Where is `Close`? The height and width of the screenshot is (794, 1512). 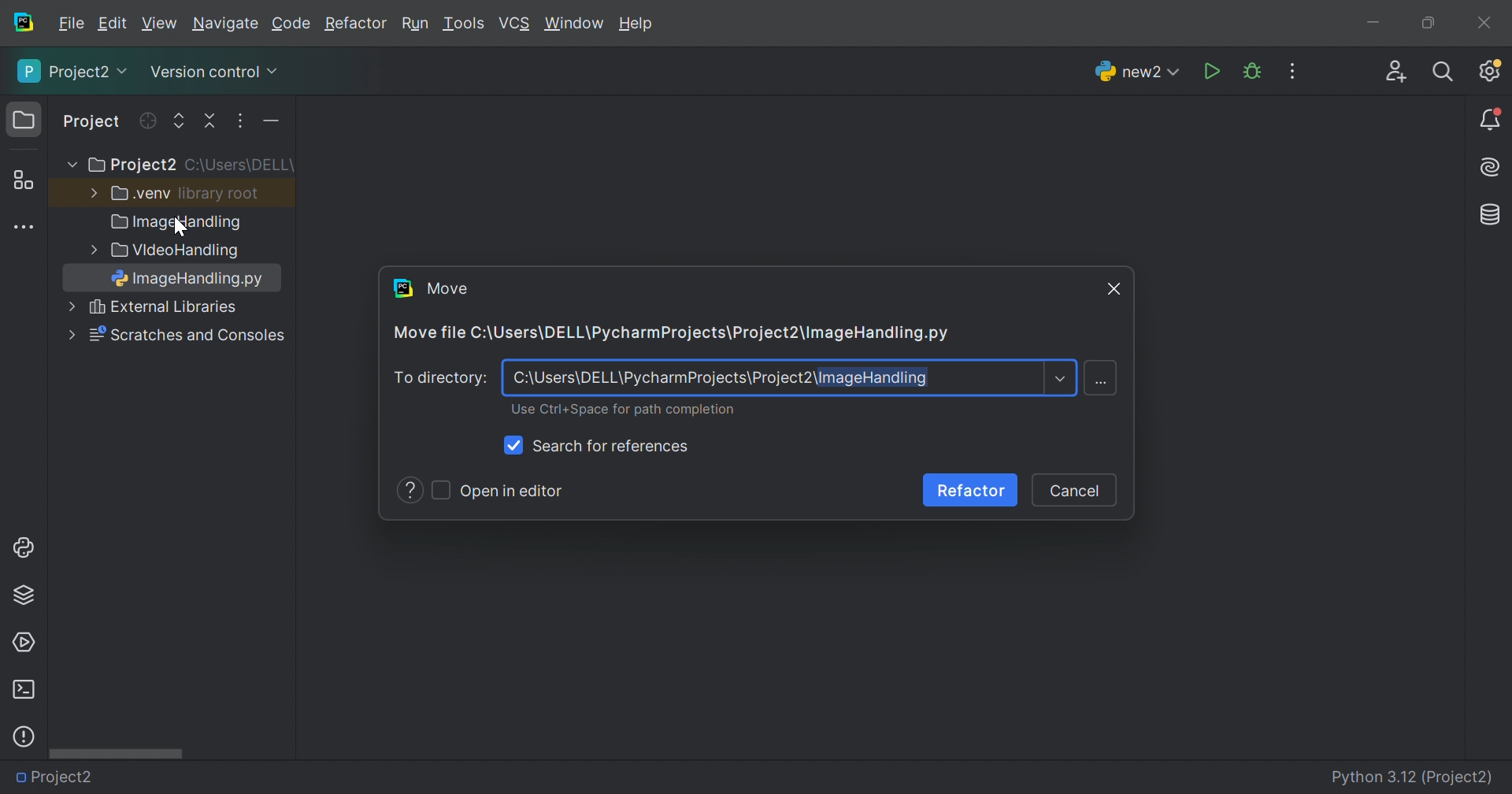
Close is located at coordinates (1116, 290).